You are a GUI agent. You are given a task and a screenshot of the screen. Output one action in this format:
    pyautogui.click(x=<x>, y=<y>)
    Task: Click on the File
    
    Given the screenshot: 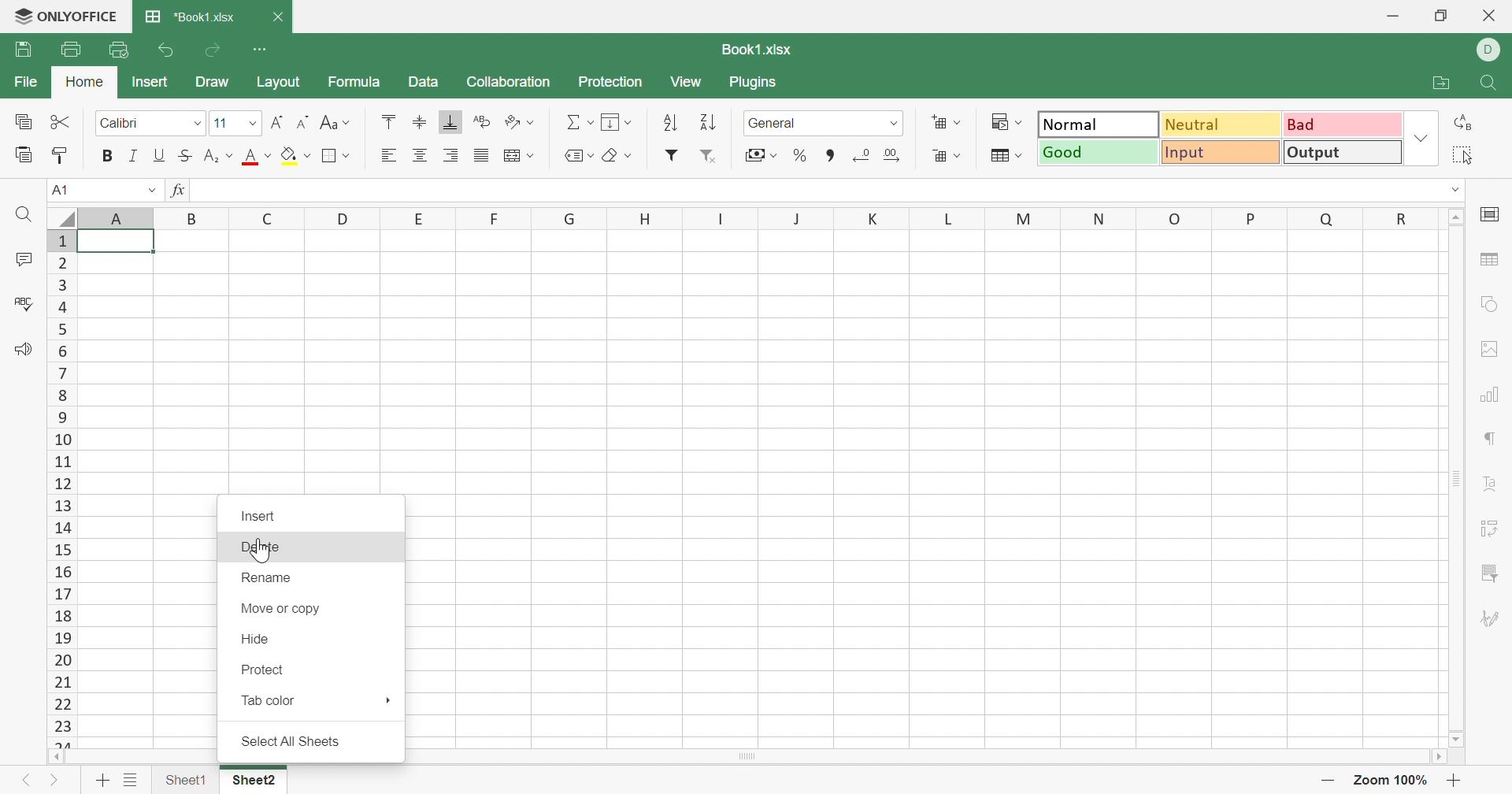 What is the action you would take?
    pyautogui.click(x=24, y=50)
    